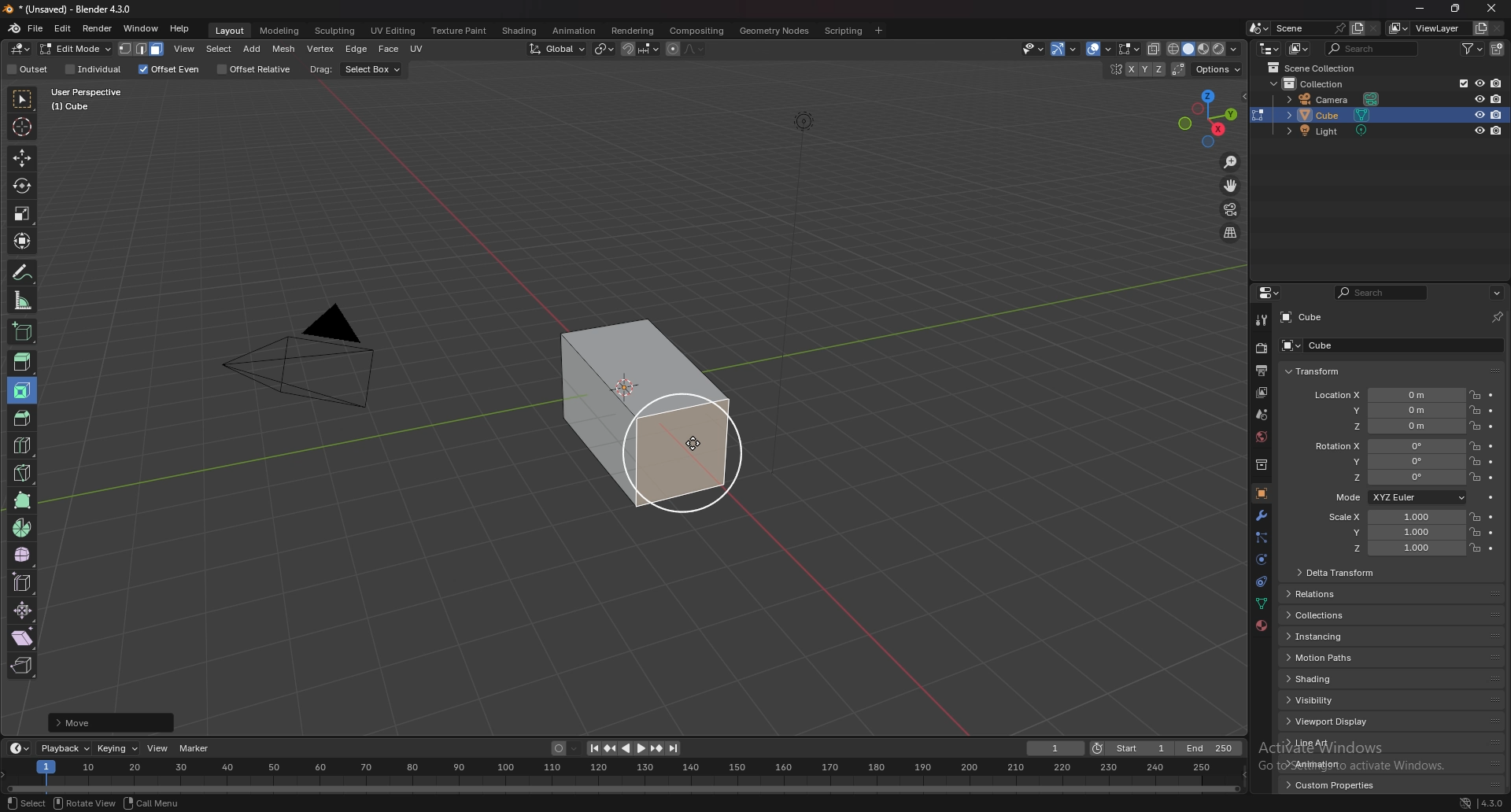 The height and width of the screenshot is (812, 1511). What do you see at coordinates (1332, 699) in the screenshot?
I see `visibility` at bounding box center [1332, 699].